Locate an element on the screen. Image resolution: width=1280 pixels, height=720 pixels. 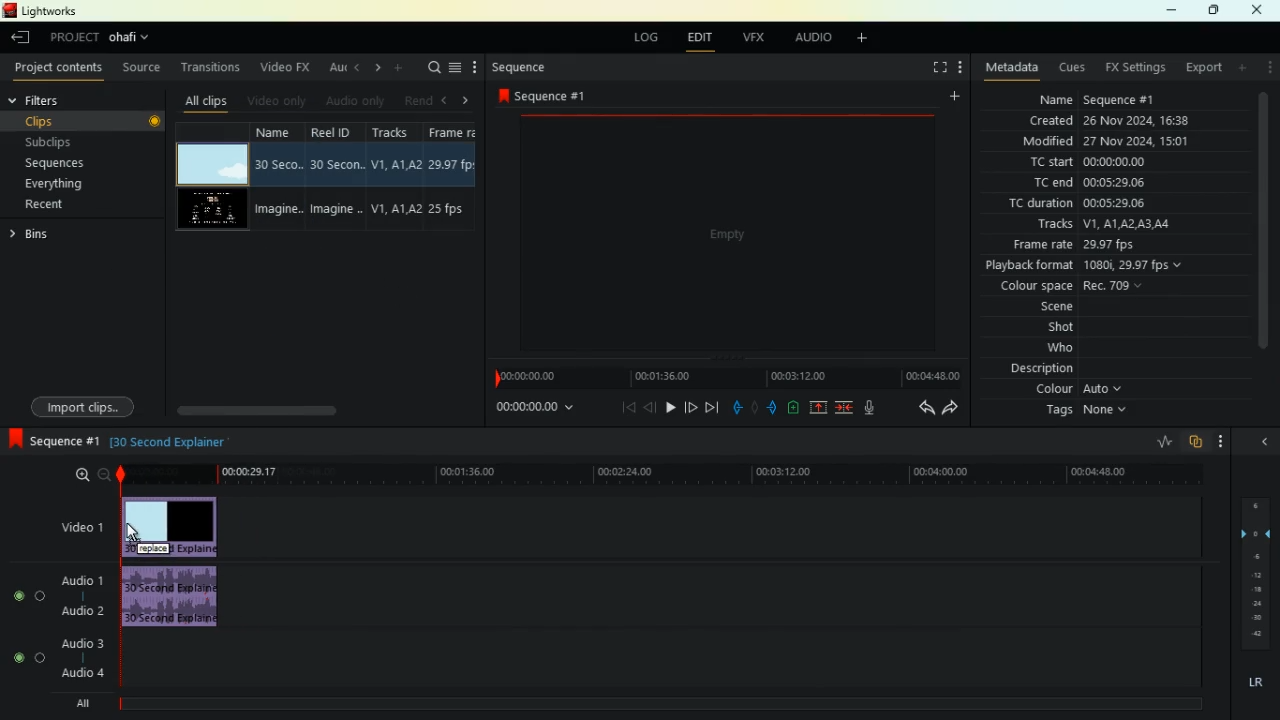
layers is located at coordinates (1254, 571).